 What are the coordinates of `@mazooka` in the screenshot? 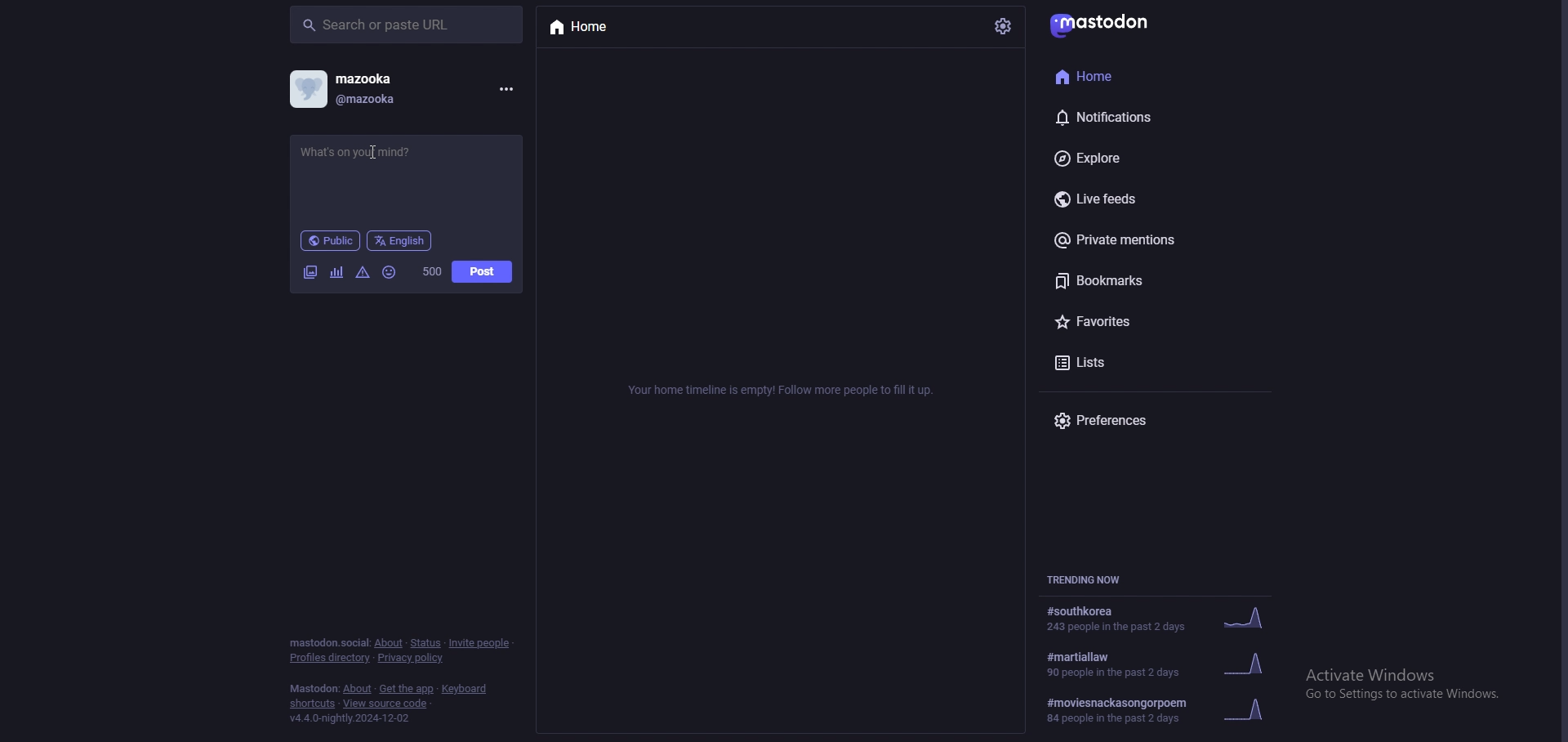 It's located at (376, 100).